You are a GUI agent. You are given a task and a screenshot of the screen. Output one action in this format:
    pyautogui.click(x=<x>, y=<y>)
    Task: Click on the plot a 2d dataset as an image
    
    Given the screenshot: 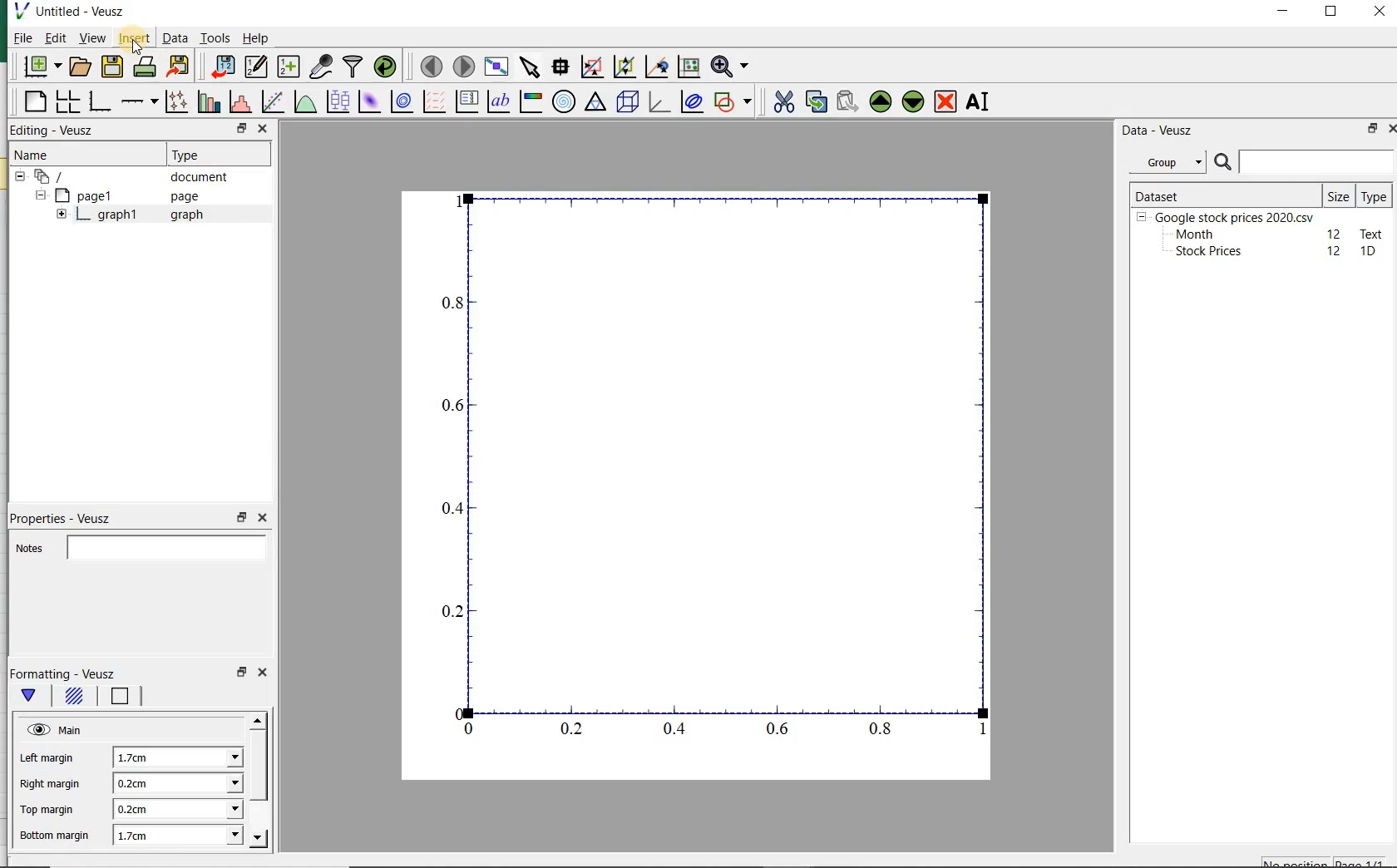 What is the action you would take?
    pyautogui.click(x=368, y=101)
    